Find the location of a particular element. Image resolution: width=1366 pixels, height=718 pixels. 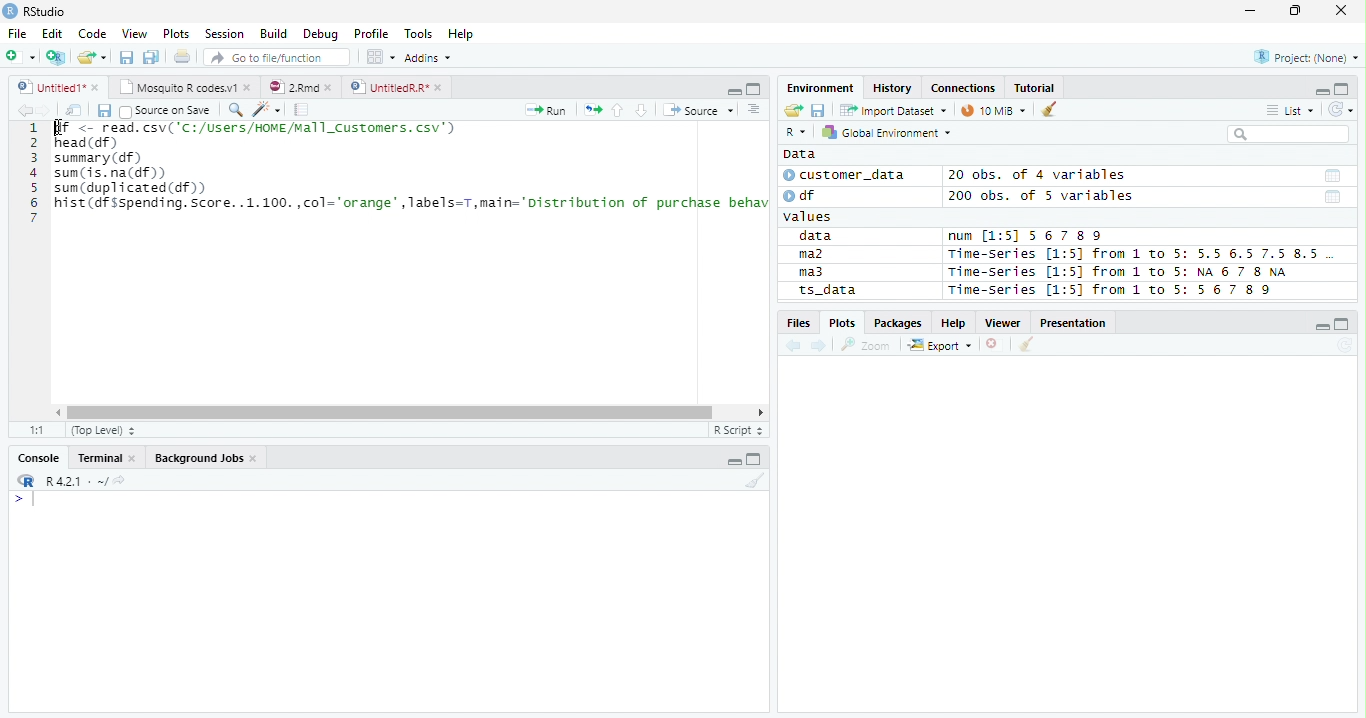

Session is located at coordinates (223, 33).